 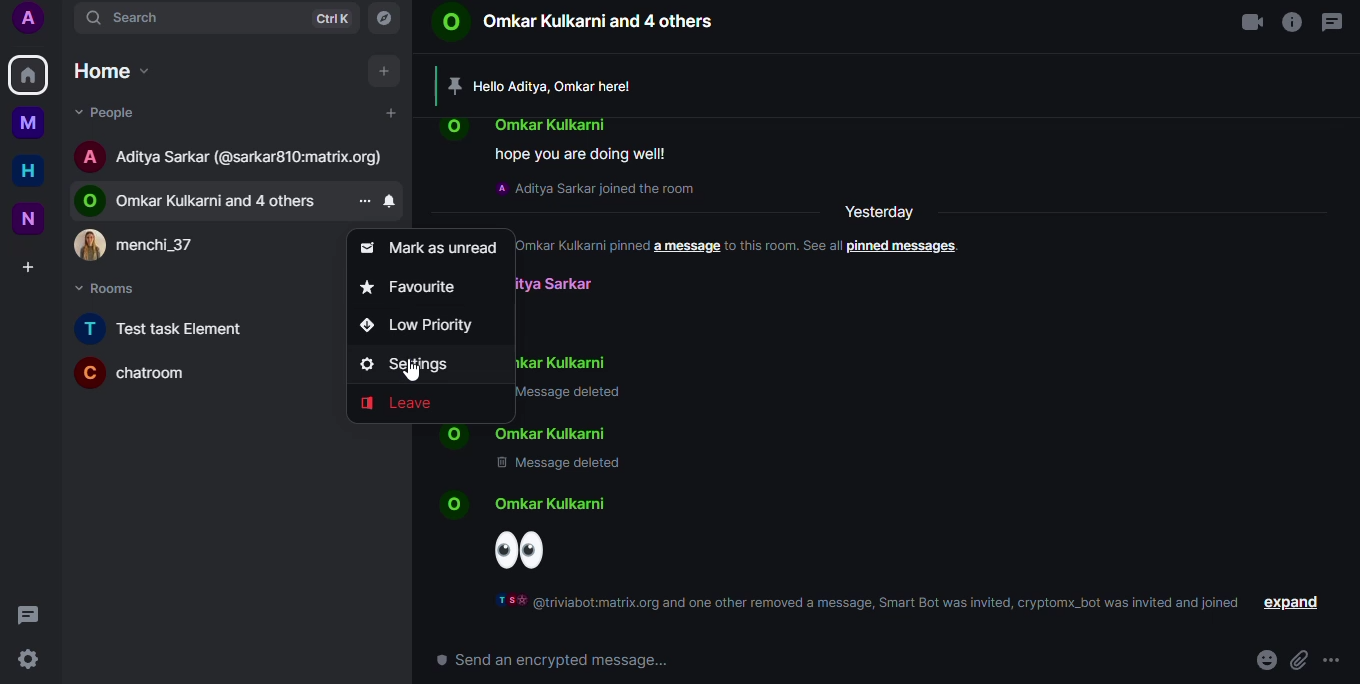 What do you see at coordinates (118, 290) in the screenshot?
I see `rooms` at bounding box center [118, 290].